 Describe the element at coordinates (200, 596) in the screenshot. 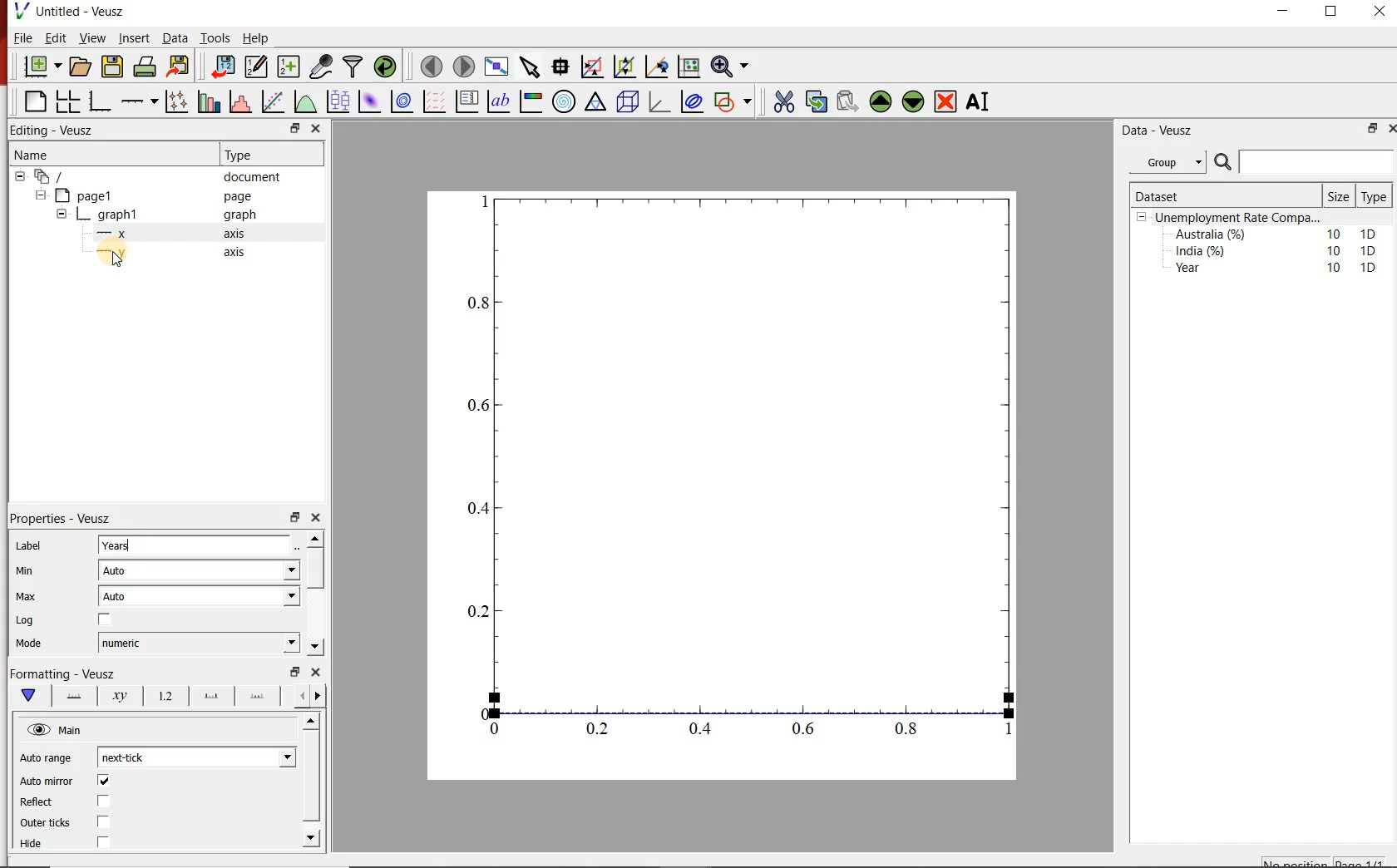

I see `Auto` at that location.